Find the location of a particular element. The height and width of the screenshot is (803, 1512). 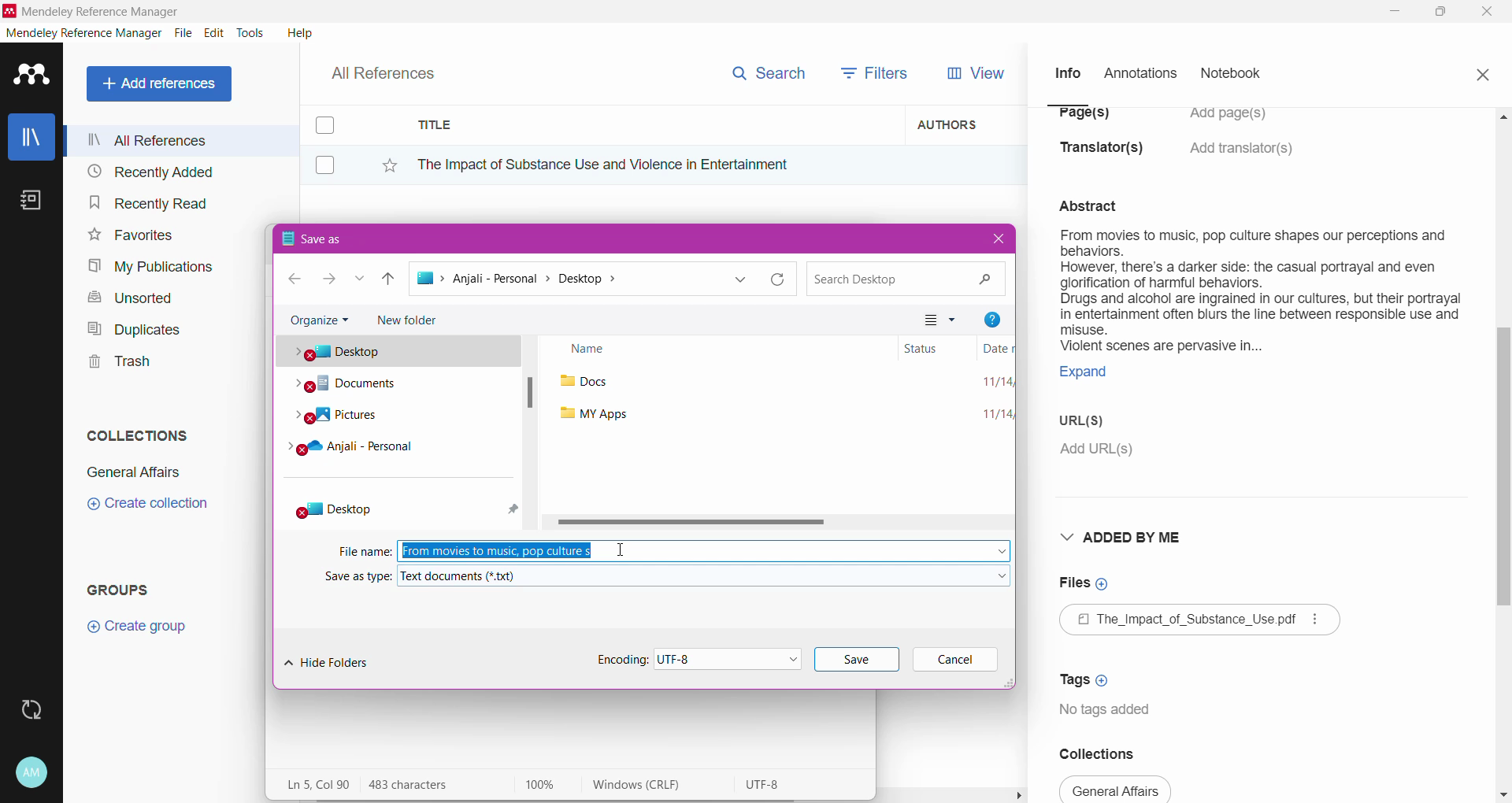

Application Name is located at coordinates (94, 11).